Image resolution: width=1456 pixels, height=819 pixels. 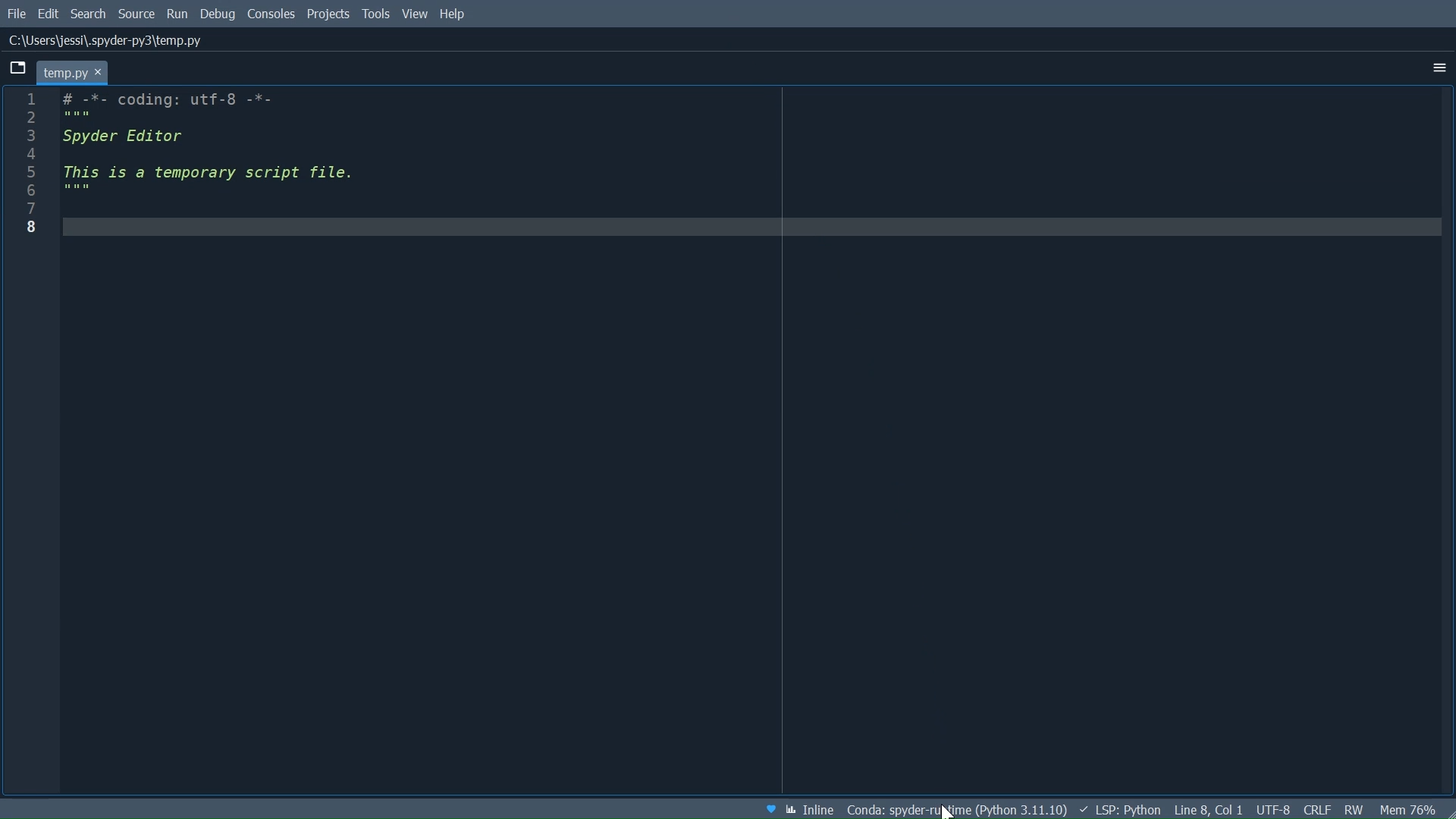 I want to click on Source, so click(x=136, y=14).